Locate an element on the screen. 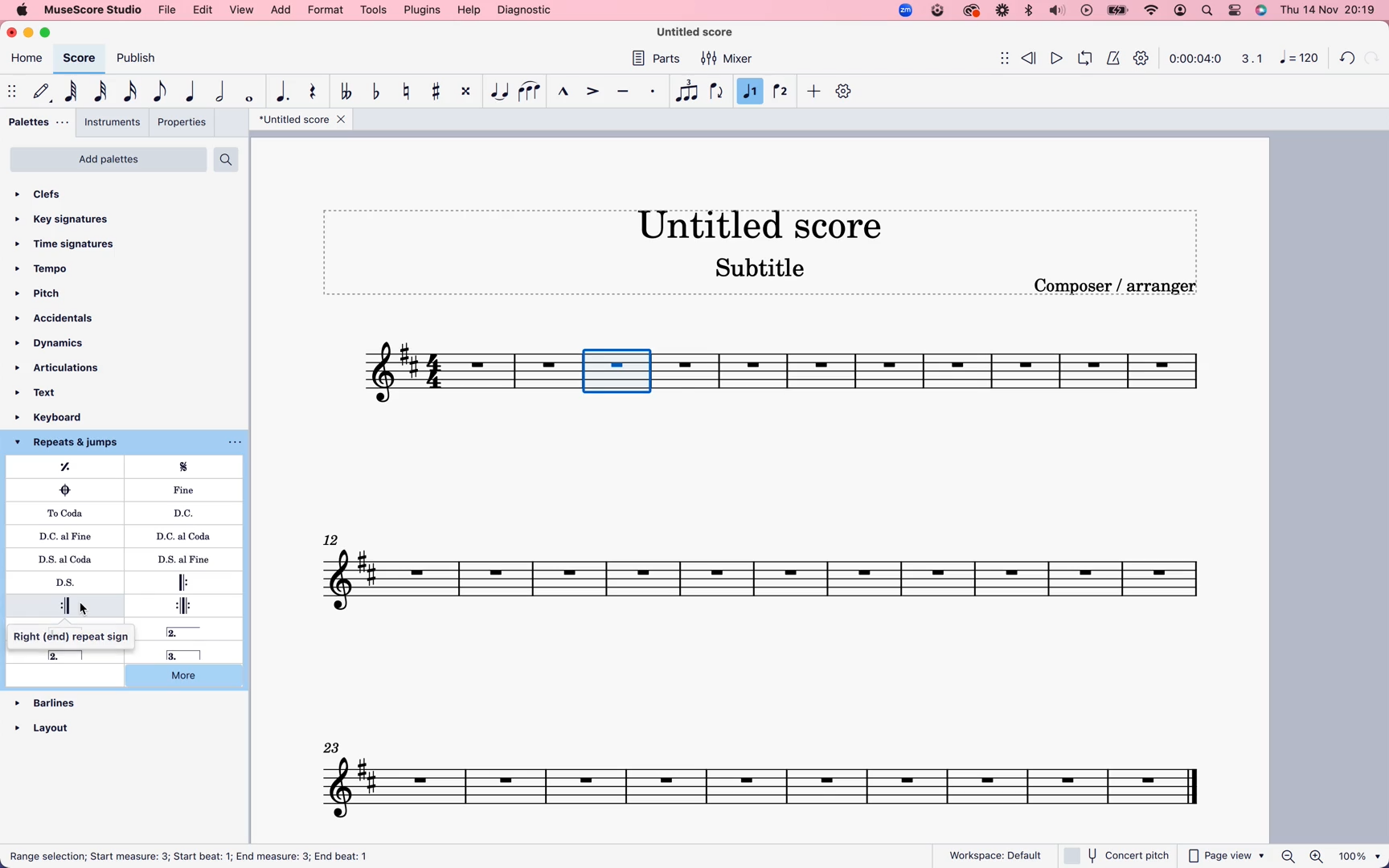  Layout is located at coordinates (50, 723).